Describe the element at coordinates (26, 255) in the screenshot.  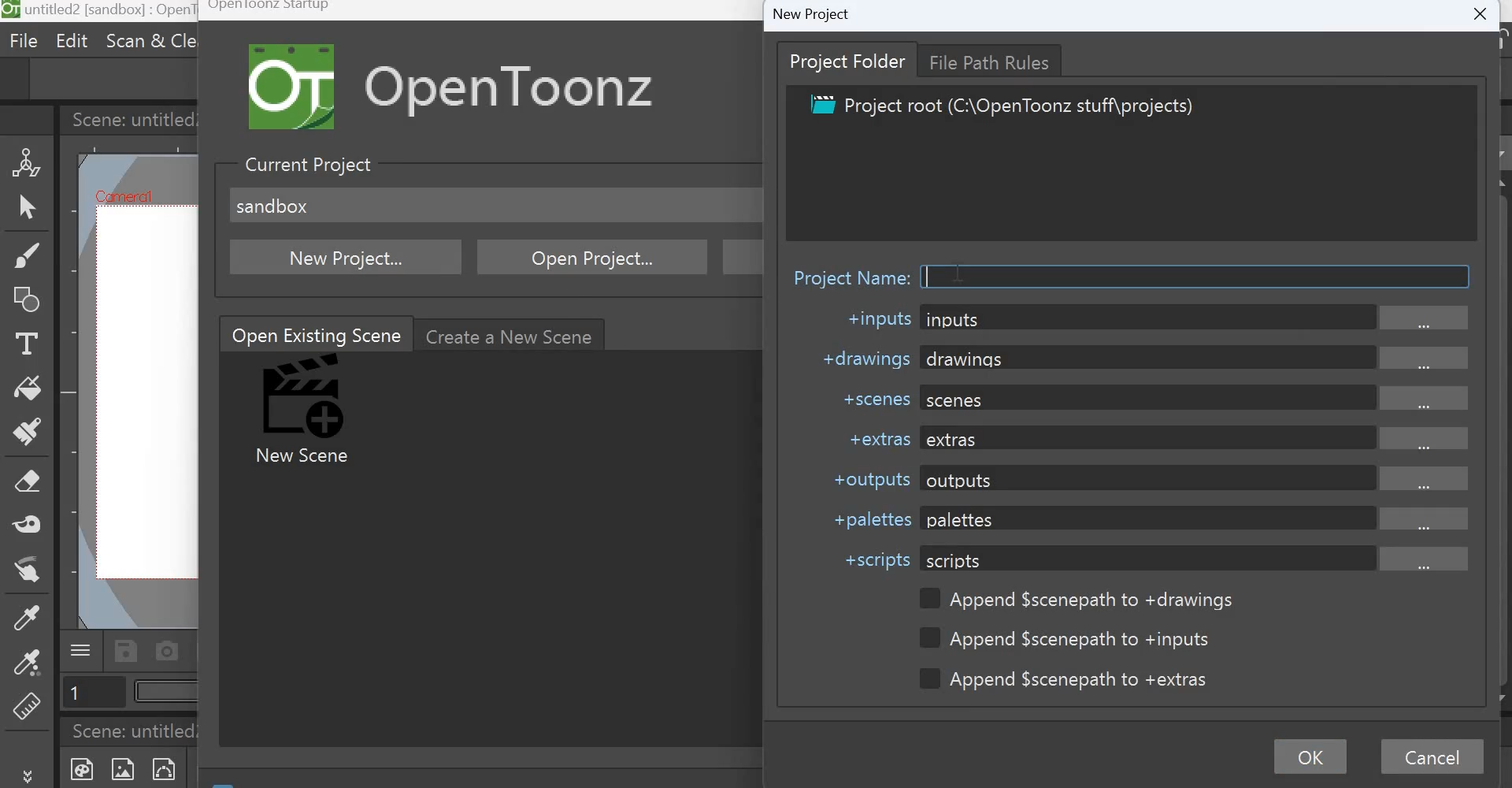
I see `Brush tool` at that location.